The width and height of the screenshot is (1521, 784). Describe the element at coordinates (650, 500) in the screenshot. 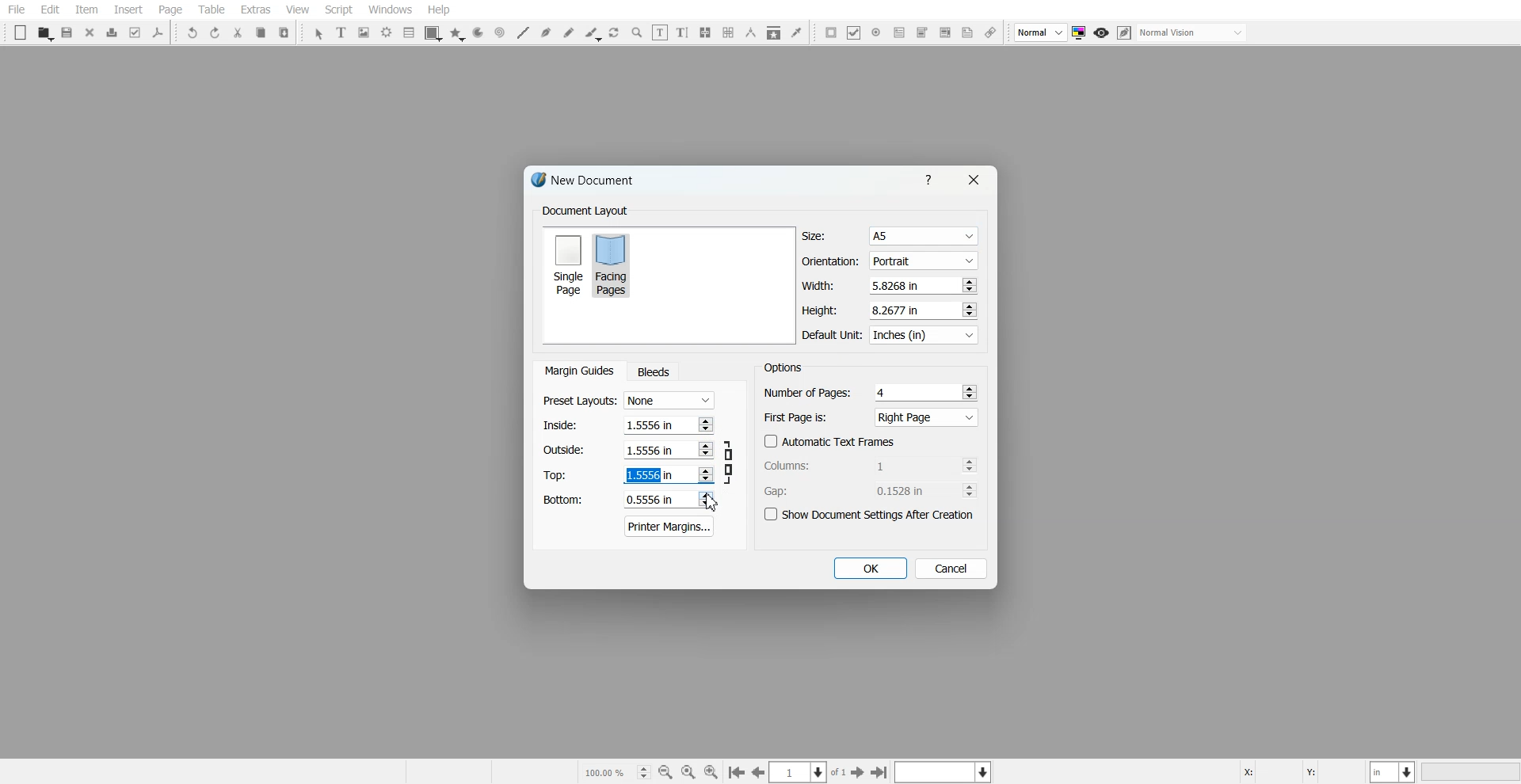

I see `0.5556 in` at that location.